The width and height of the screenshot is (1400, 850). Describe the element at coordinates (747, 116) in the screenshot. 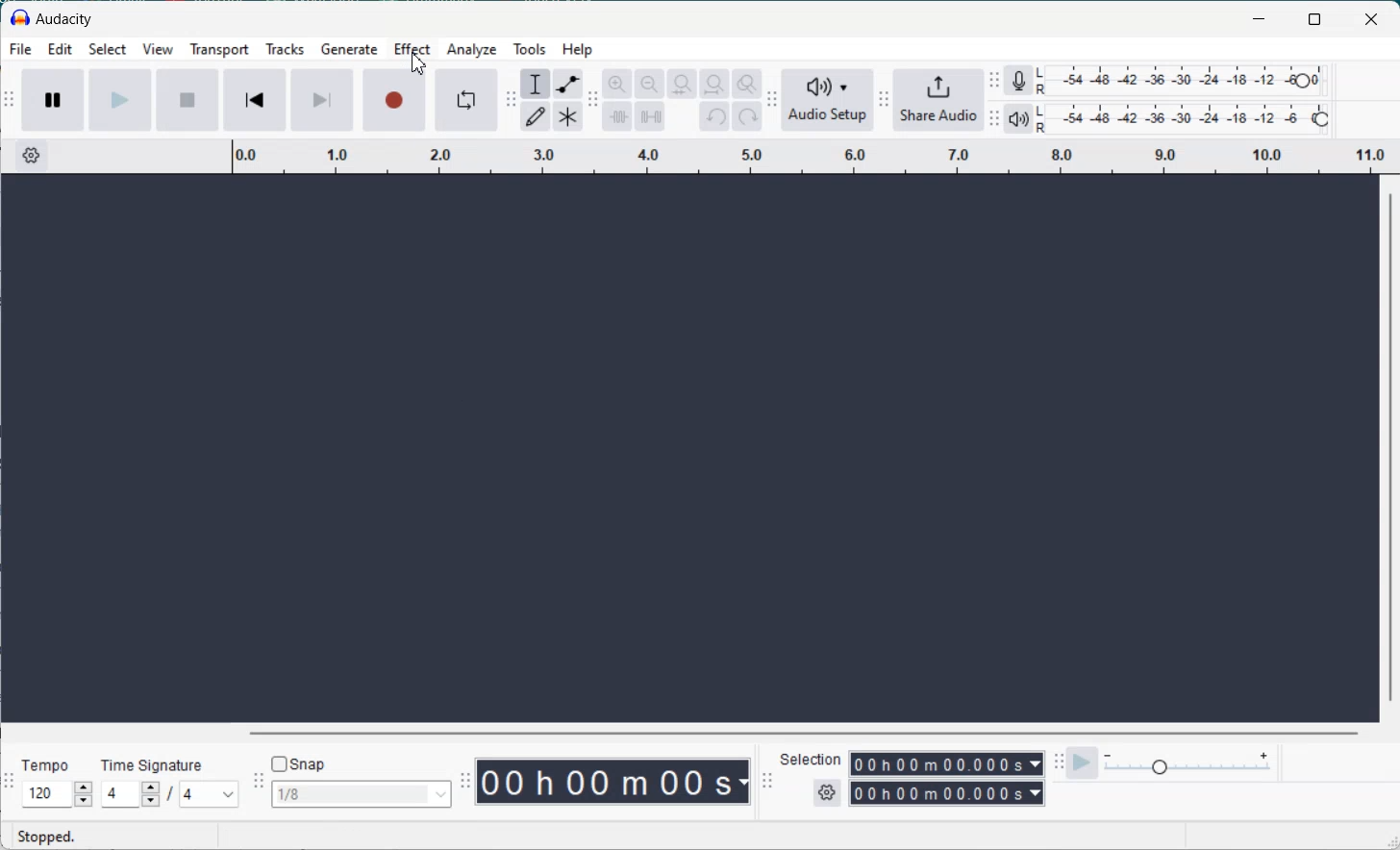

I see `Redo` at that location.